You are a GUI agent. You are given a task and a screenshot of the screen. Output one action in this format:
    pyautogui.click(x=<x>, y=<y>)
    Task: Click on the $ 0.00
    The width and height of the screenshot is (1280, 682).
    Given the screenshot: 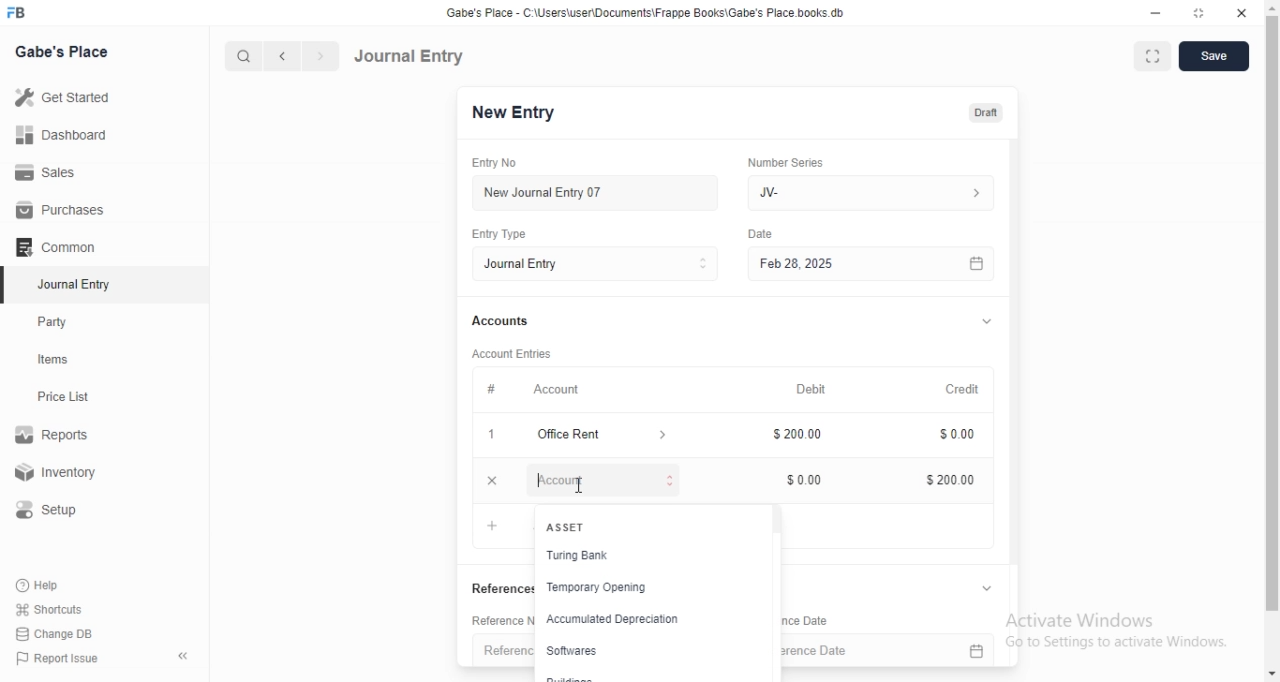 What is the action you would take?
    pyautogui.click(x=960, y=436)
    